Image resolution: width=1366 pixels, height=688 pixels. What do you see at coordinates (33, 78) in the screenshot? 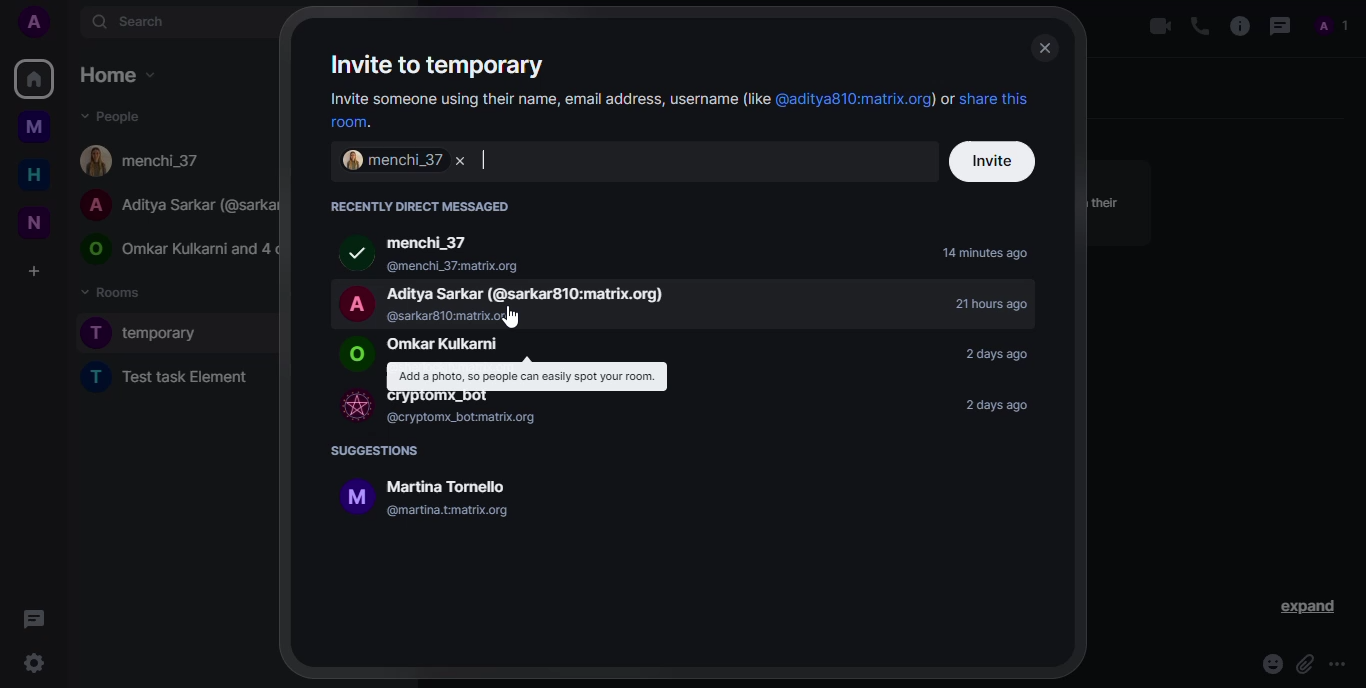
I see `home` at bounding box center [33, 78].